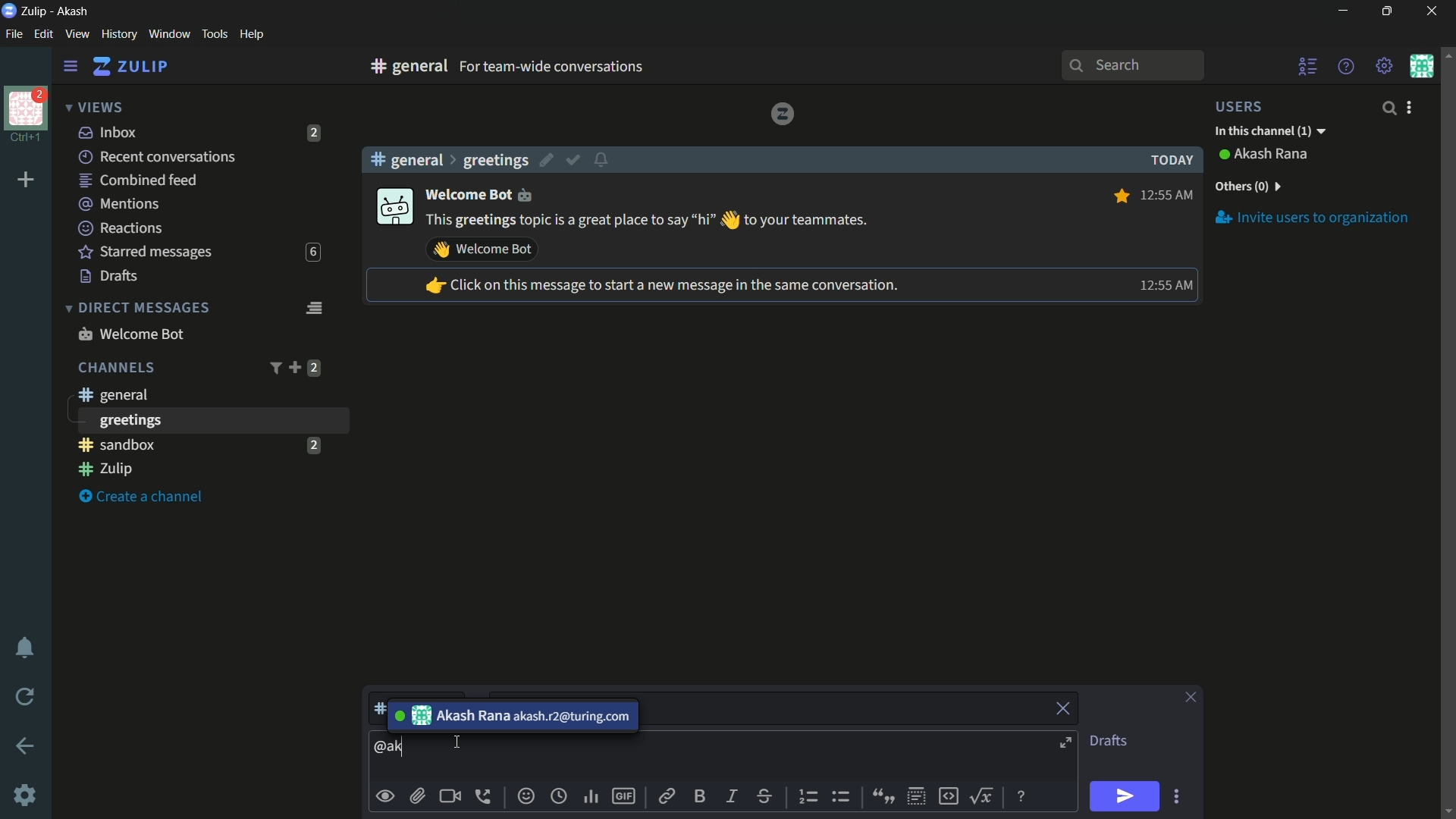 This screenshot has width=1456, height=819. What do you see at coordinates (121, 205) in the screenshot?
I see `mentions` at bounding box center [121, 205].